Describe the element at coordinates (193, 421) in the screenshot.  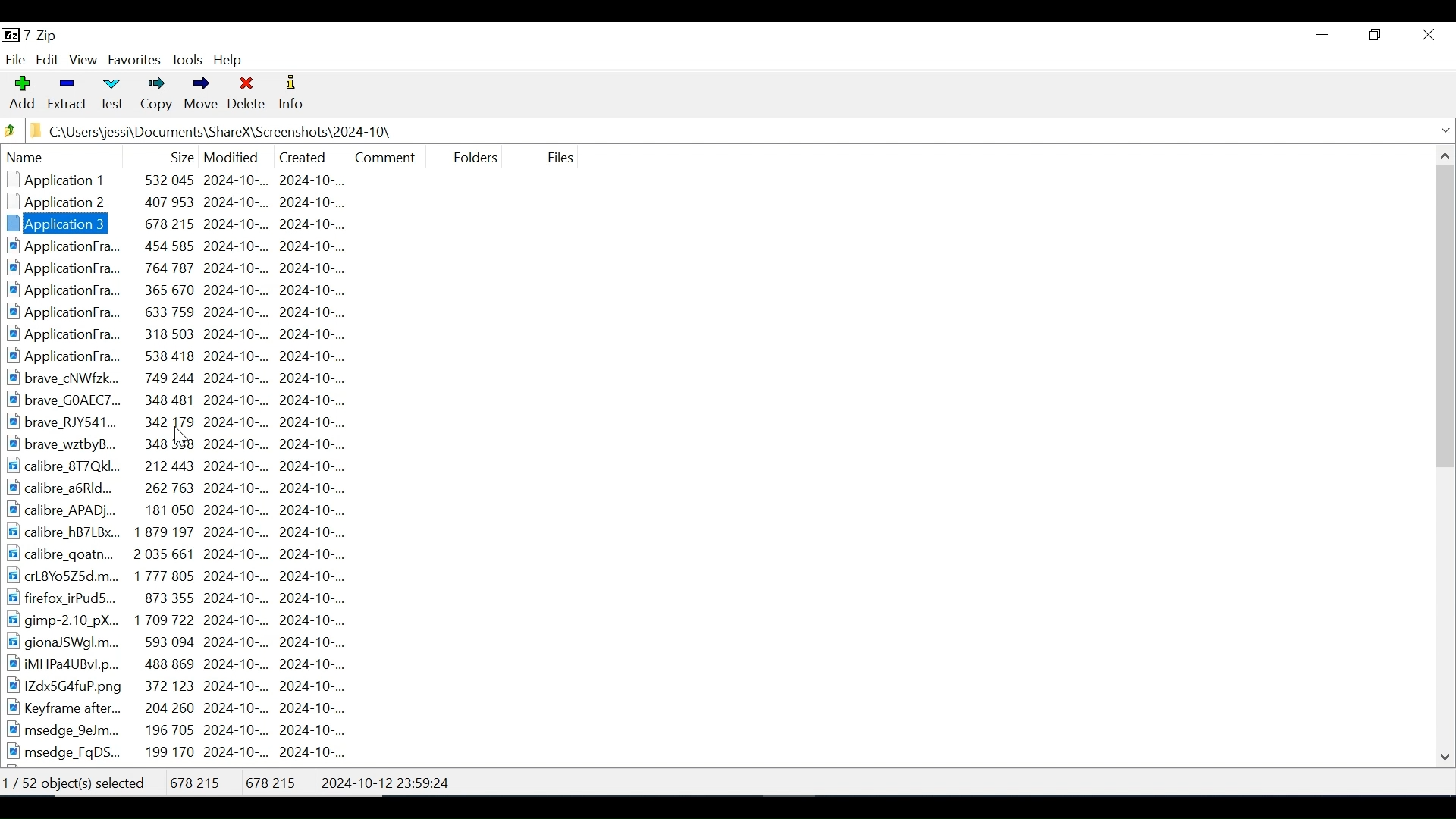
I see `brave RJY541... 342 179 2024-10-... 2024-10-...` at that location.